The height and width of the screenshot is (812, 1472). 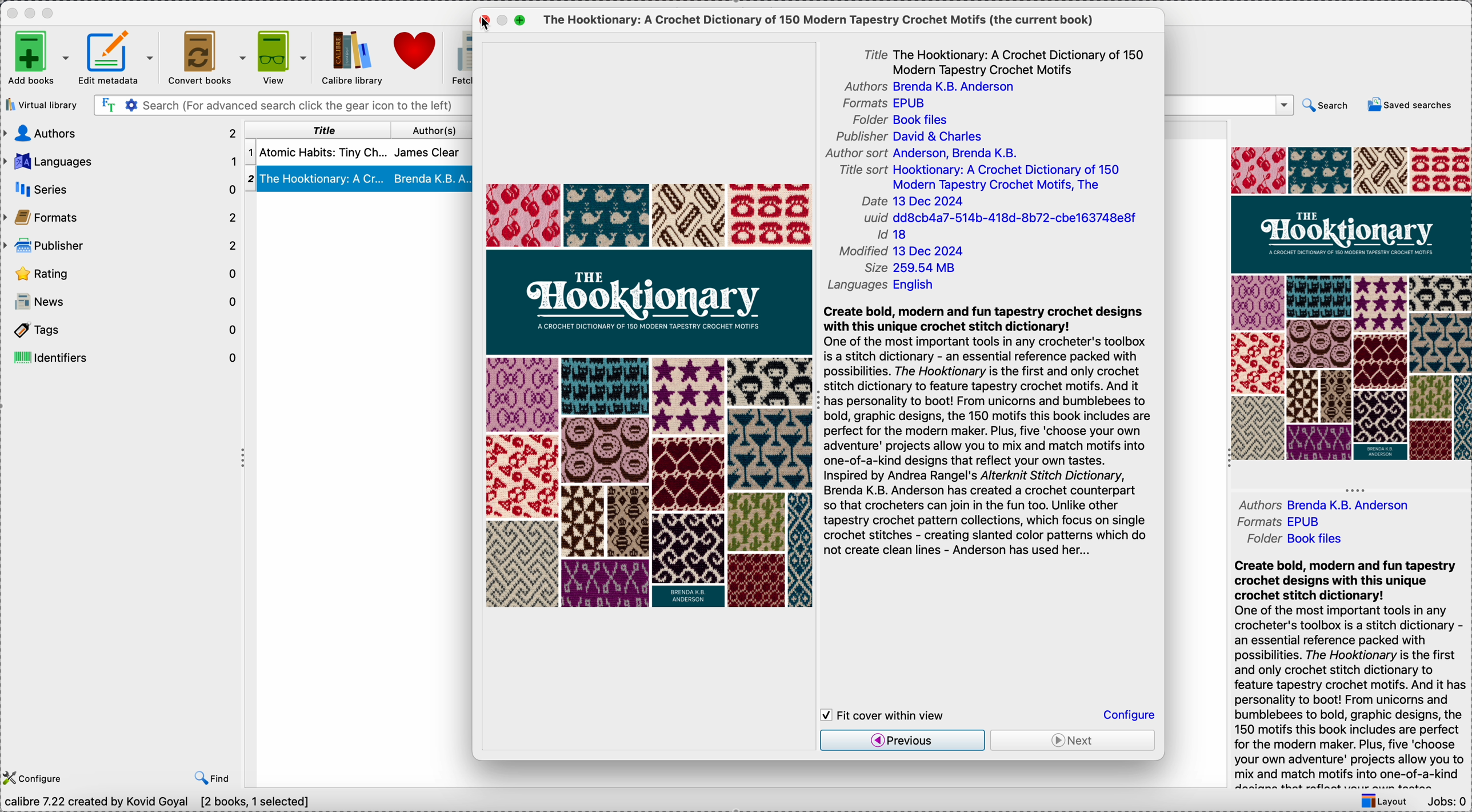 What do you see at coordinates (886, 103) in the screenshot?
I see `formats EPUB` at bounding box center [886, 103].